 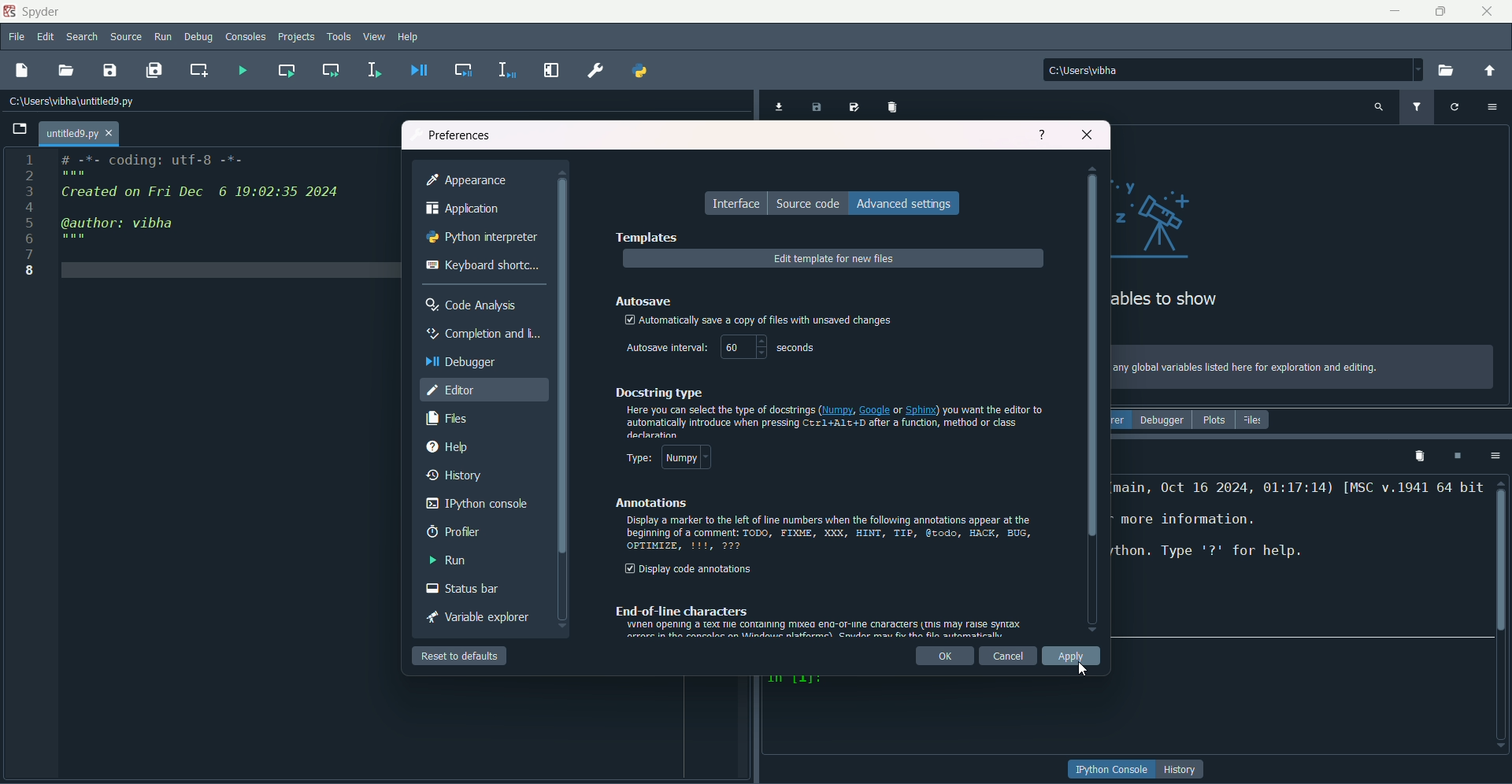 I want to click on keyboard shortcut, so click(x=484, y=264).